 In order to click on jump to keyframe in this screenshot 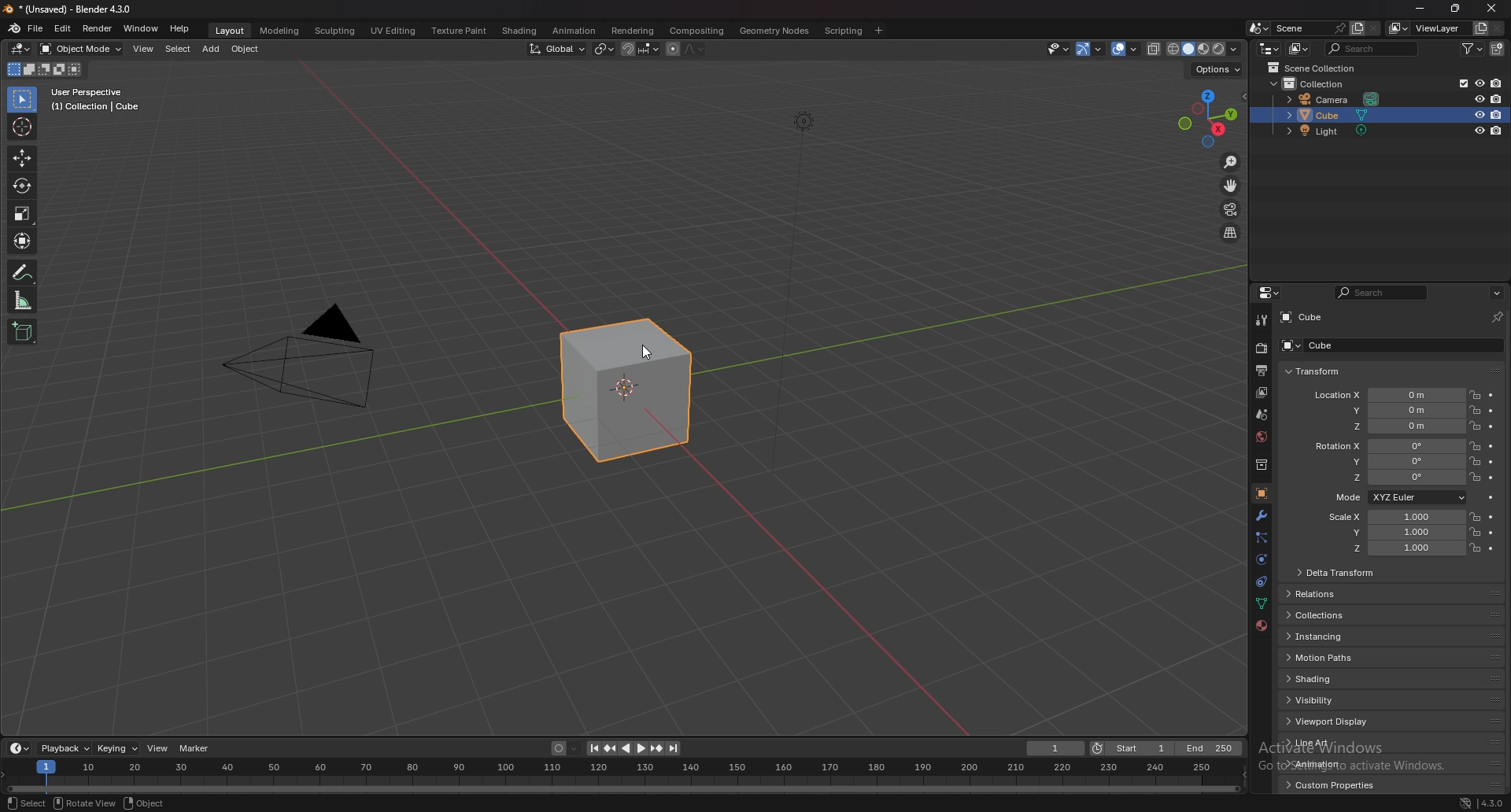, I will do `click(610, 749)`.